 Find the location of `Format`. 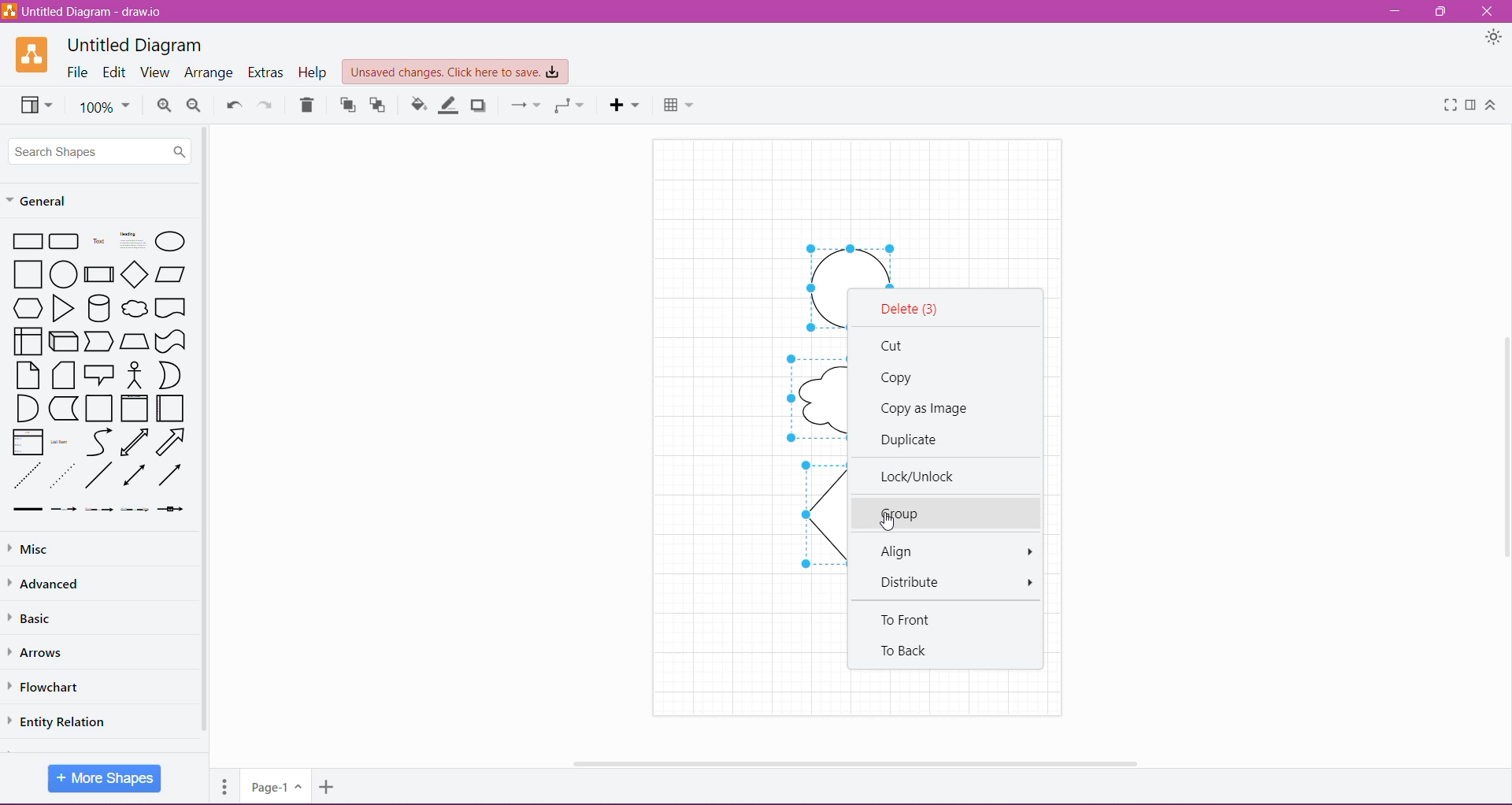

Format is located at coordinates (1471, 105).